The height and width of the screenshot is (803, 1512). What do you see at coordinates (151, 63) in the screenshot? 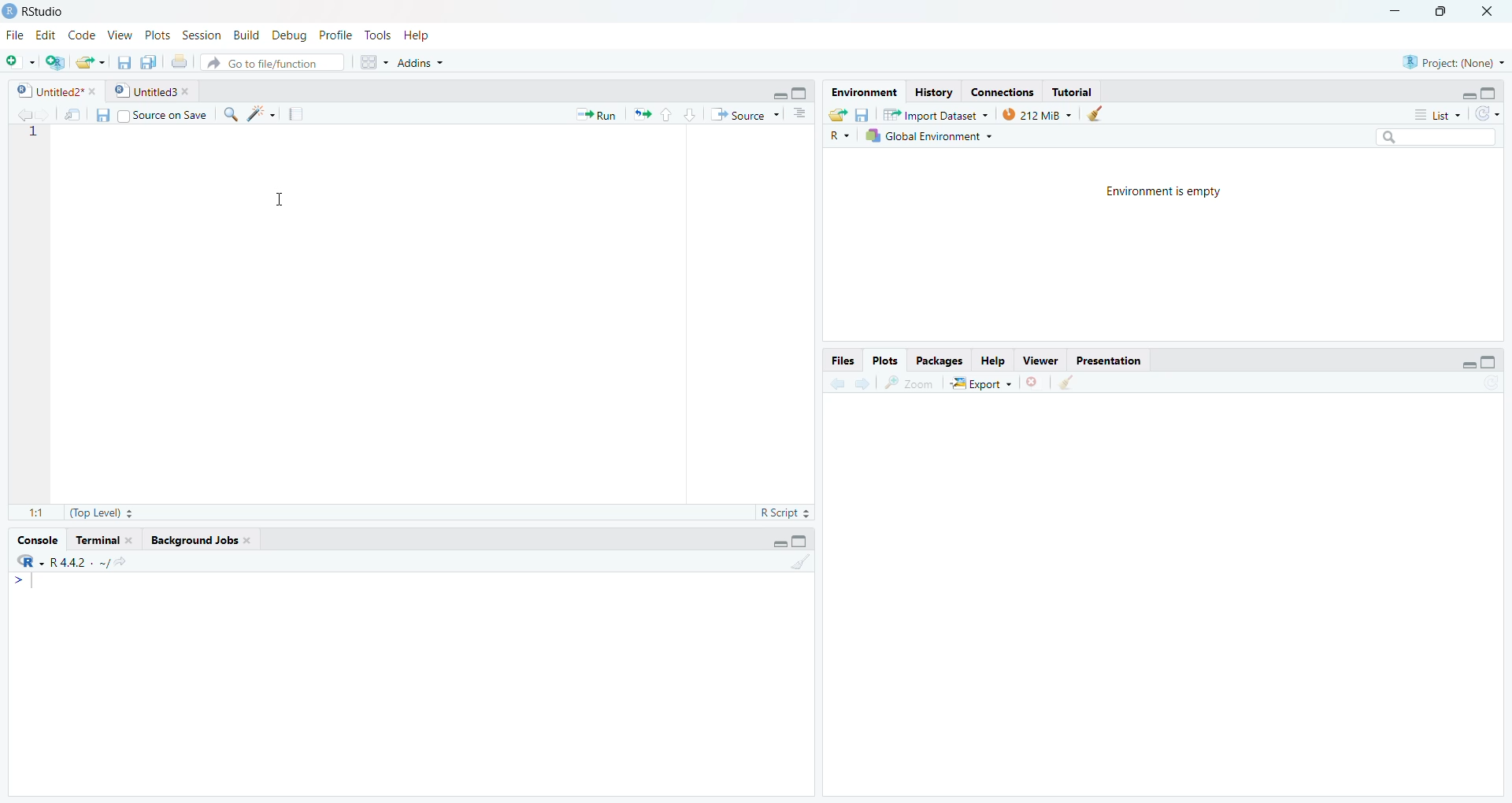
I see `save all open documents` at bounding box center [151, 63].